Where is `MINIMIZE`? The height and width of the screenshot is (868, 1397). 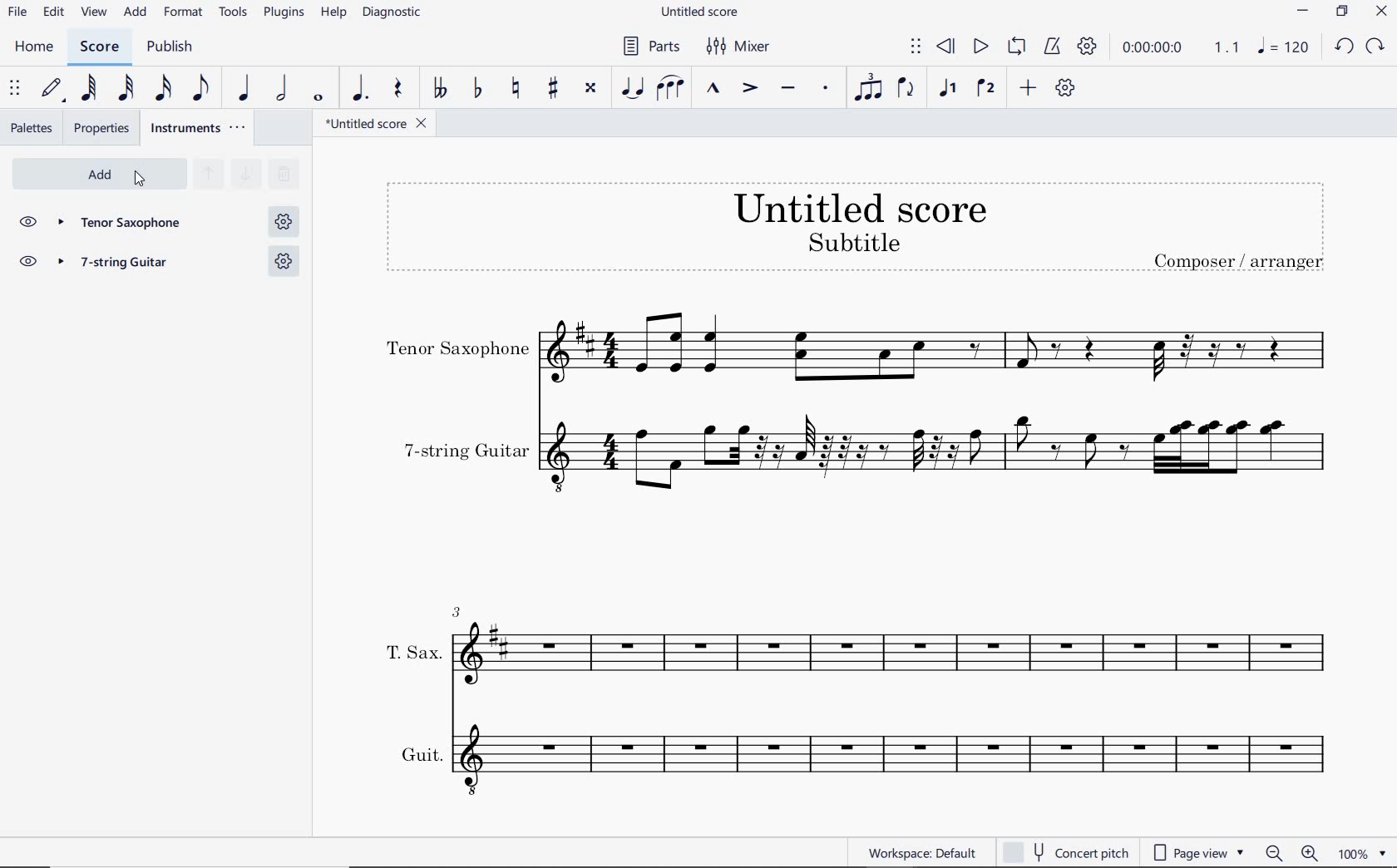 MINIMIZE is located at coordinates (1304, 12).